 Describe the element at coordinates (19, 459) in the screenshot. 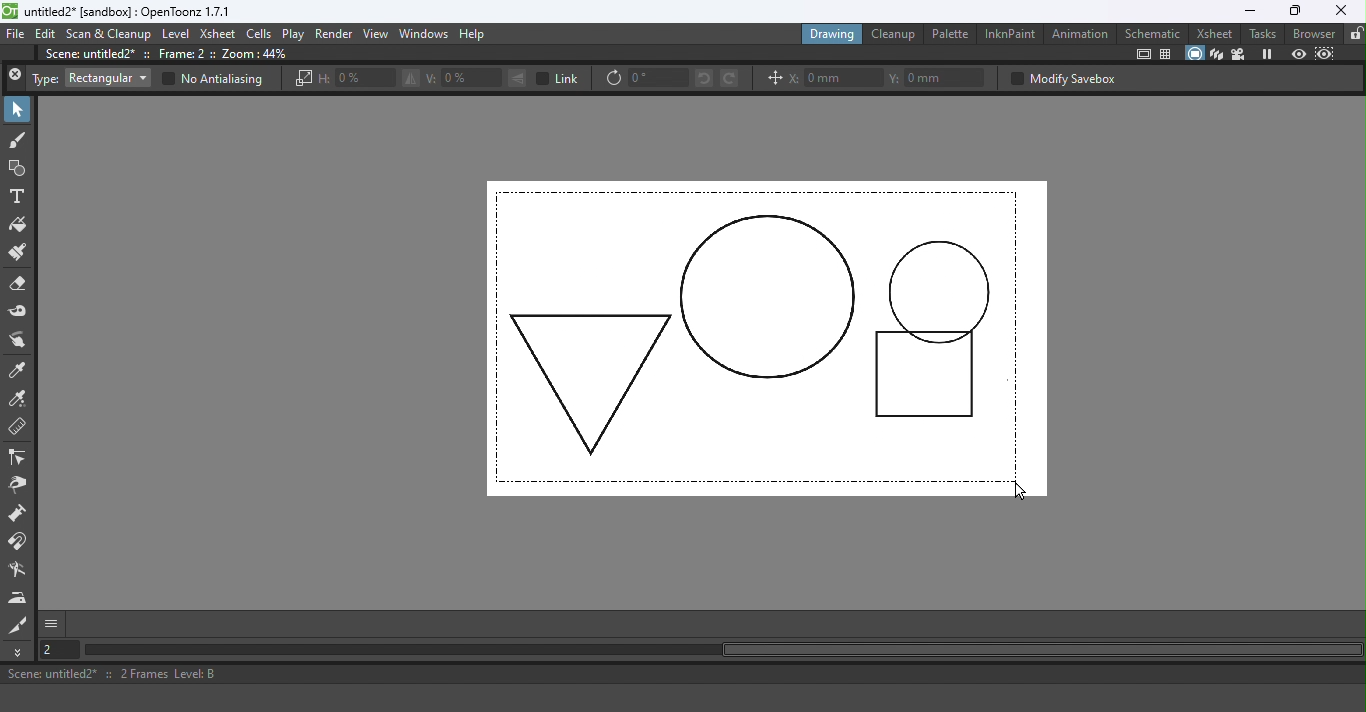

I see `Control point editor tool` at that location.